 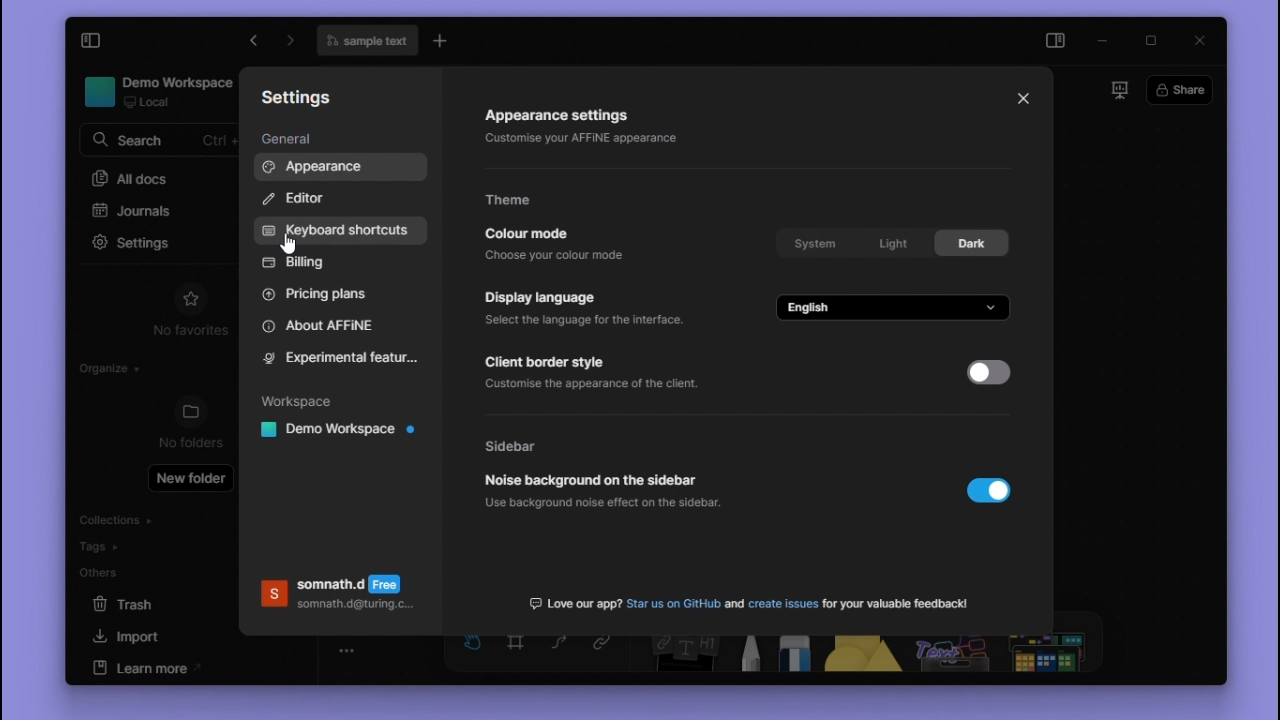 What do you see at coordinates (583, 312) in the screenshot?
I see `Display language` at bounding box center [583, 312].